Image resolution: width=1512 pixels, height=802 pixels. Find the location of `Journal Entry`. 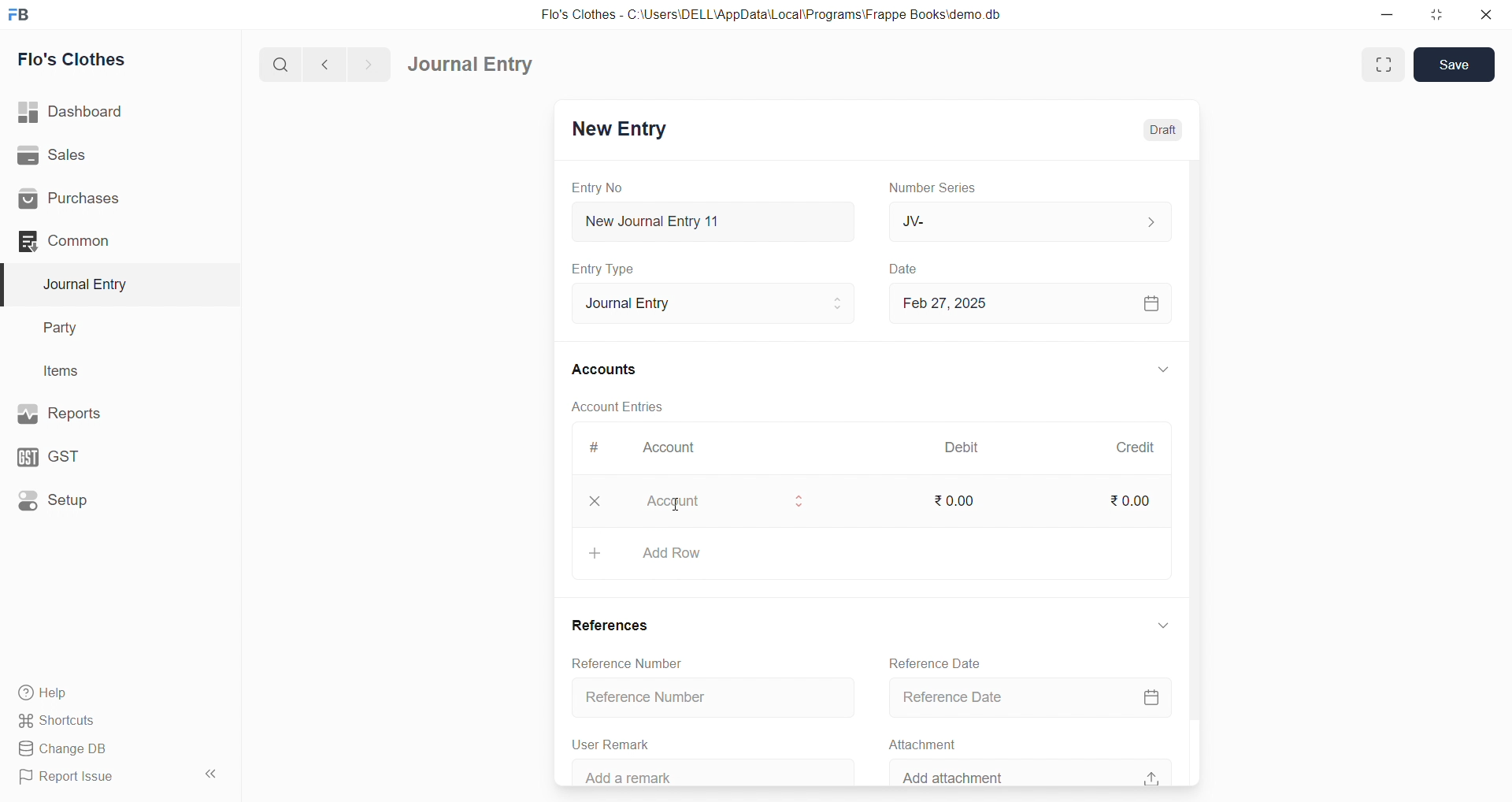

Journal Entry is located at coordinates (471, 64).